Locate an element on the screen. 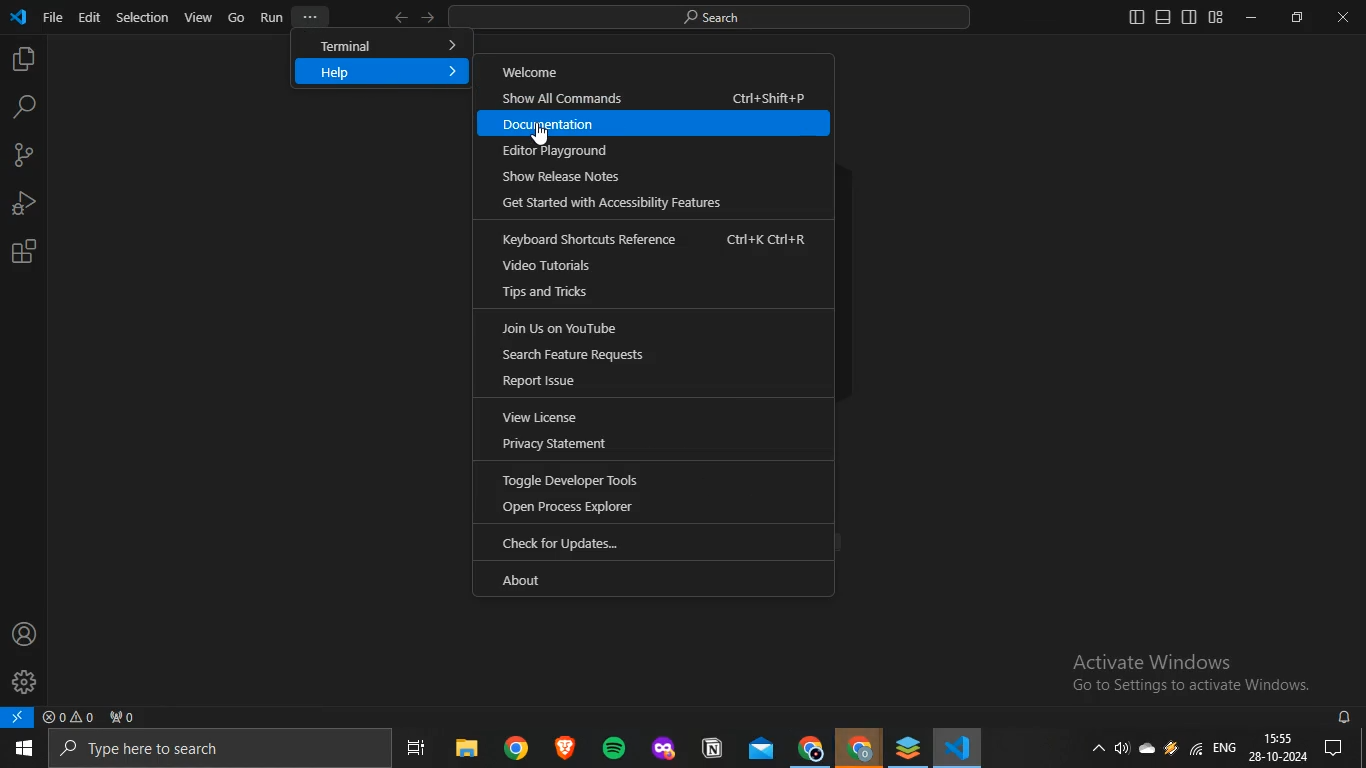 This screenshot has width=1366, height=768. file explorer is located at coordinates (465, 750).